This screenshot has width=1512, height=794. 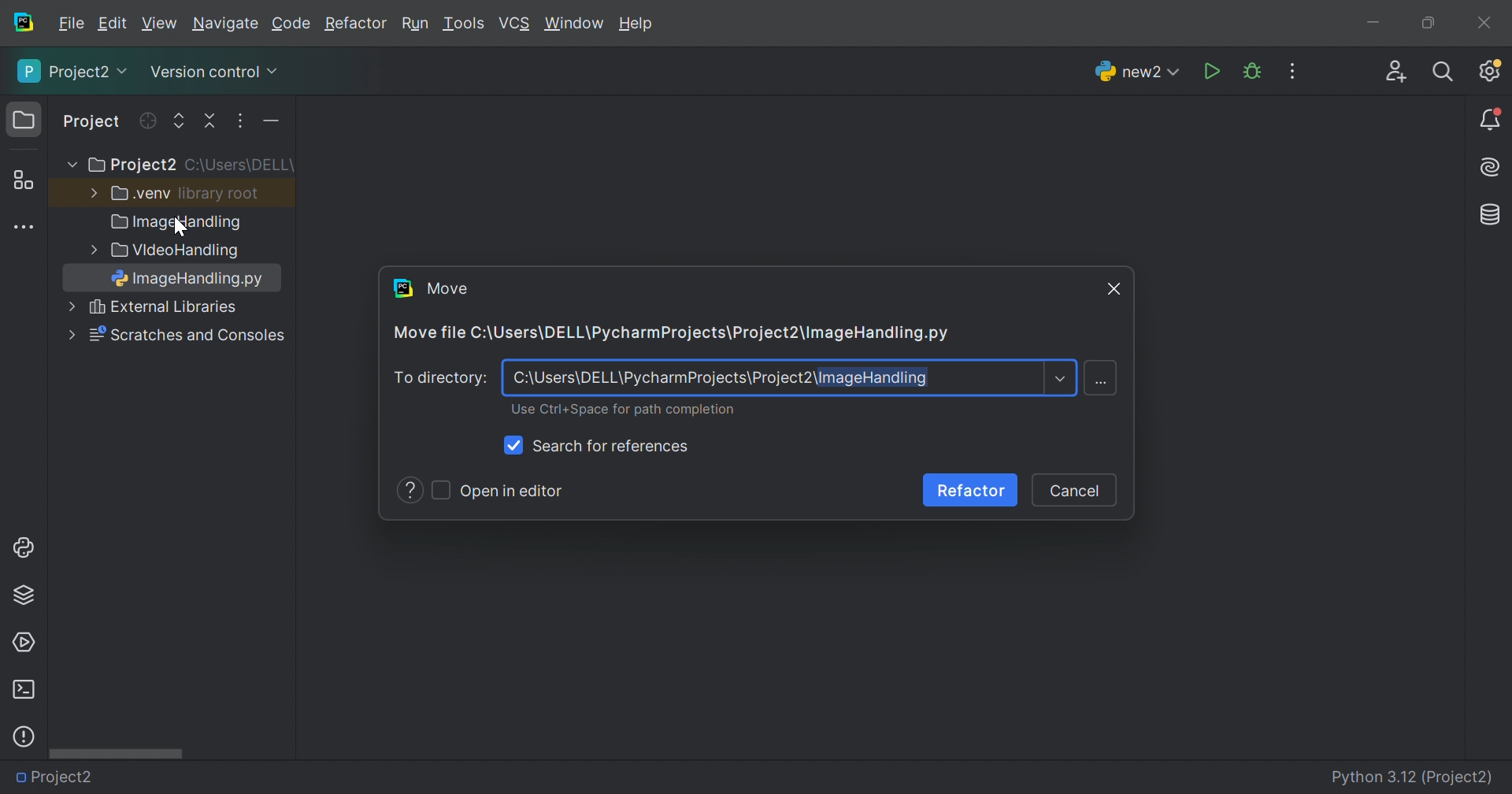 What do you see at coordinates (198, 775) in the screenshot?
I see `VideoHandling.py` at bounding box center [198, 775].